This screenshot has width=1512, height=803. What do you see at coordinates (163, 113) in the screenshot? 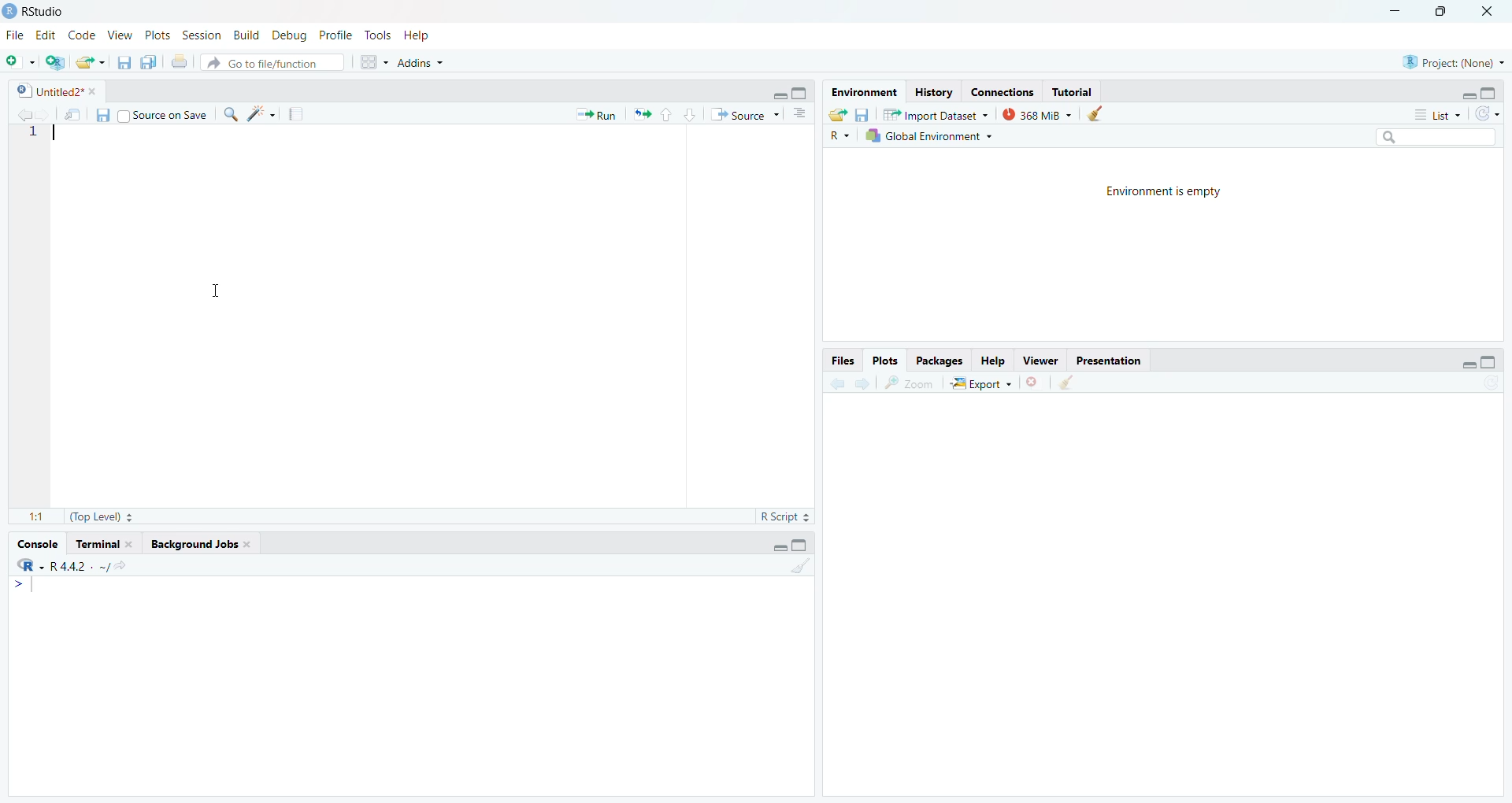
I see `Source on Save` at bounding box center [163, 113].